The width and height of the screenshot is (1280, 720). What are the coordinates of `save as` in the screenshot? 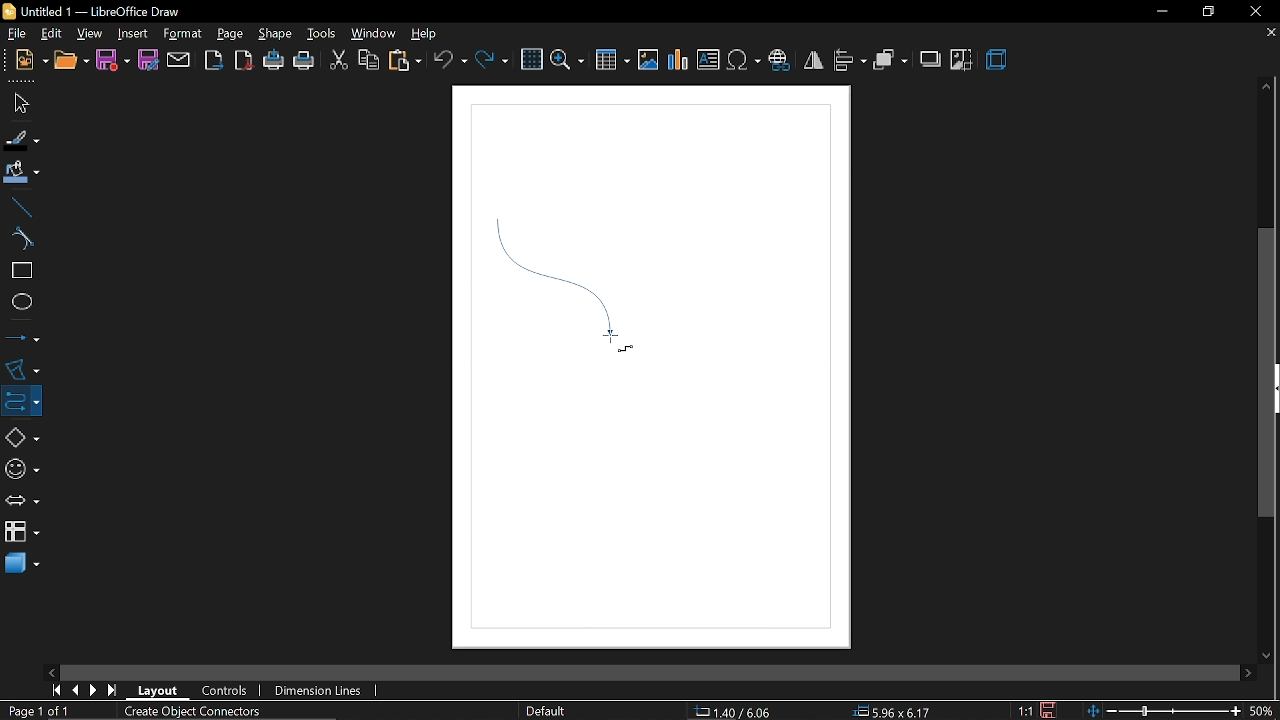 It's located at (147, 60).